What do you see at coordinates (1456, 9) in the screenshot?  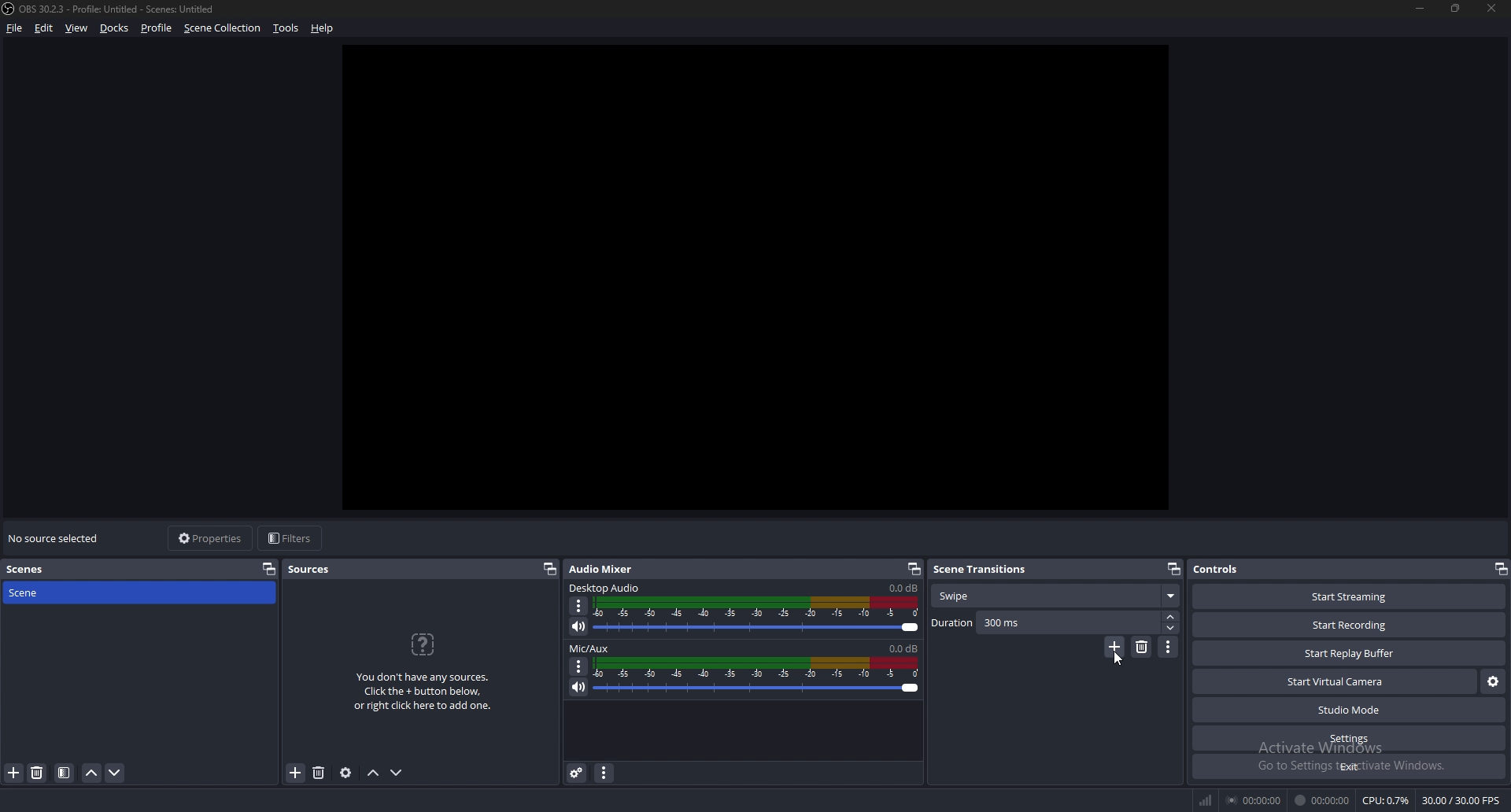 I see `resize` at bounding box center [1456, 9].